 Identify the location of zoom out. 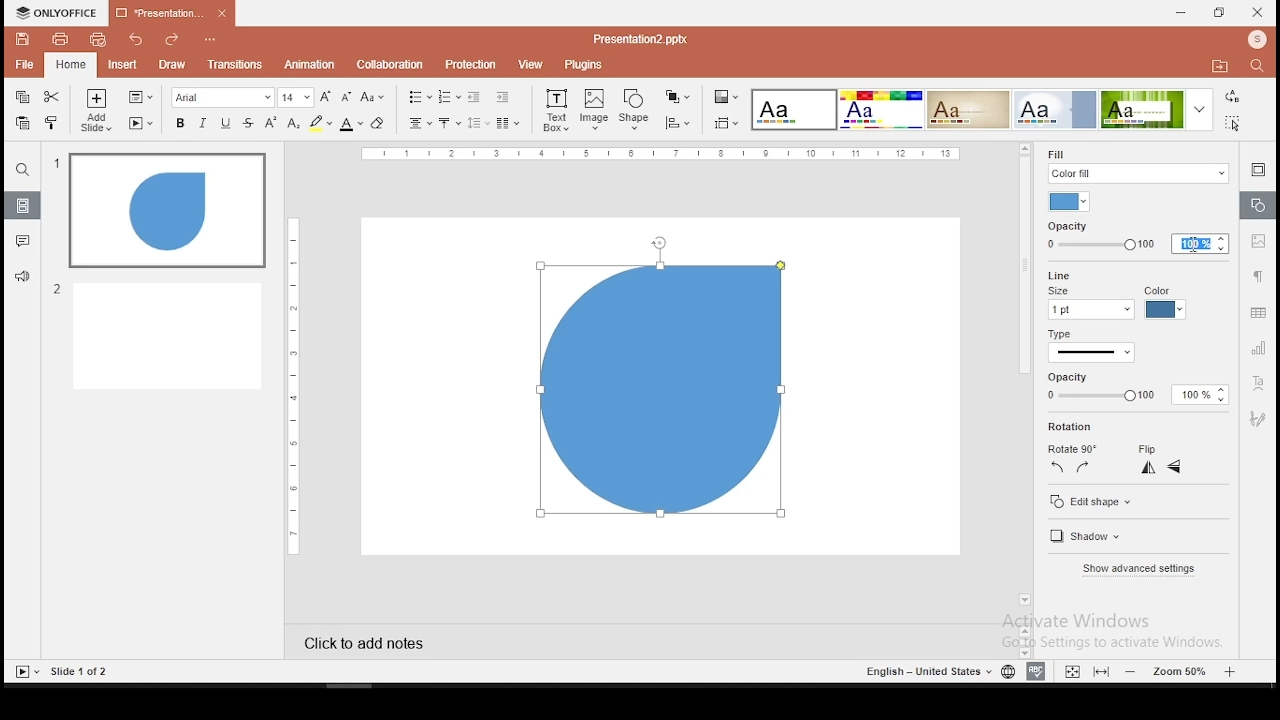
(1232, 671).